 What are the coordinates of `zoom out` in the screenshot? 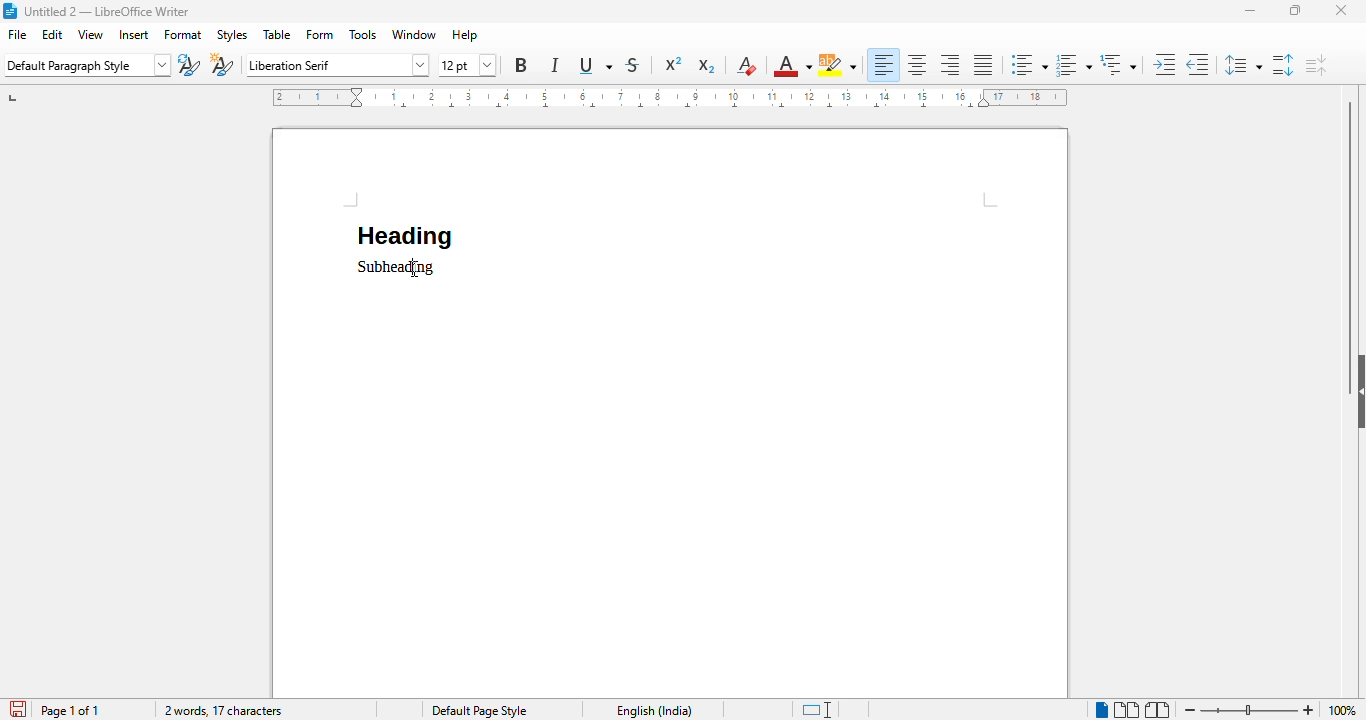 It's located at (1190, 709).